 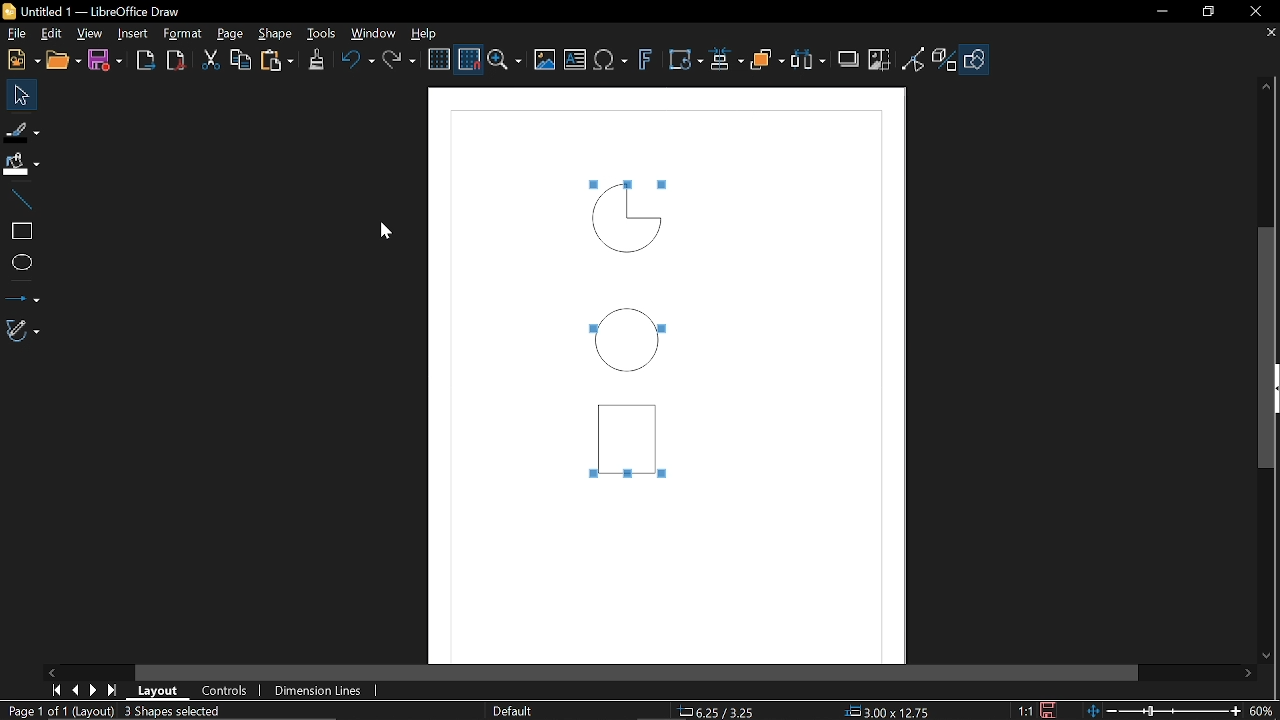 I want to click on Rectangle, so click(x=635, y=431).